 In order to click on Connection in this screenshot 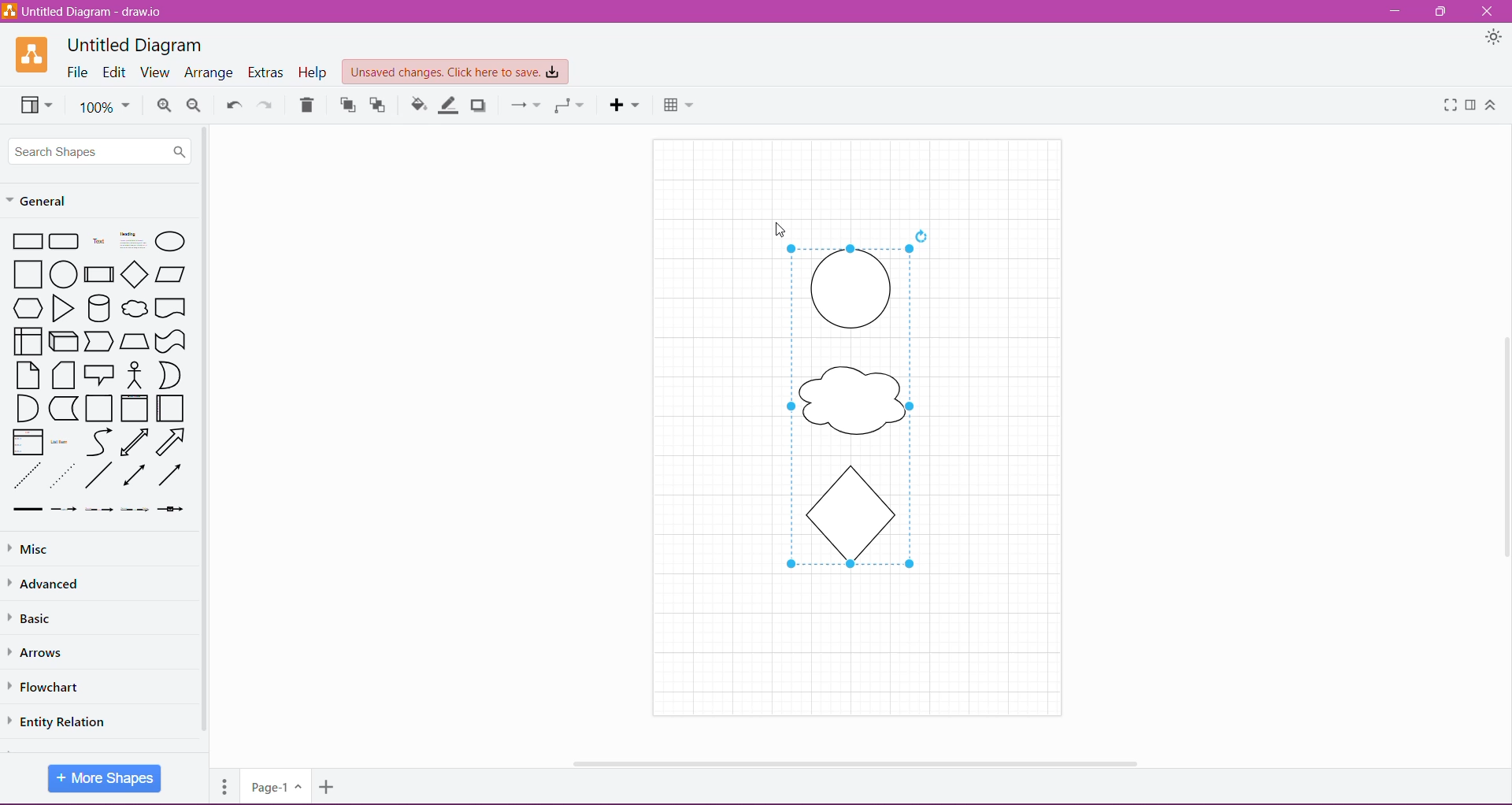, I will do `click(521, 104)`.